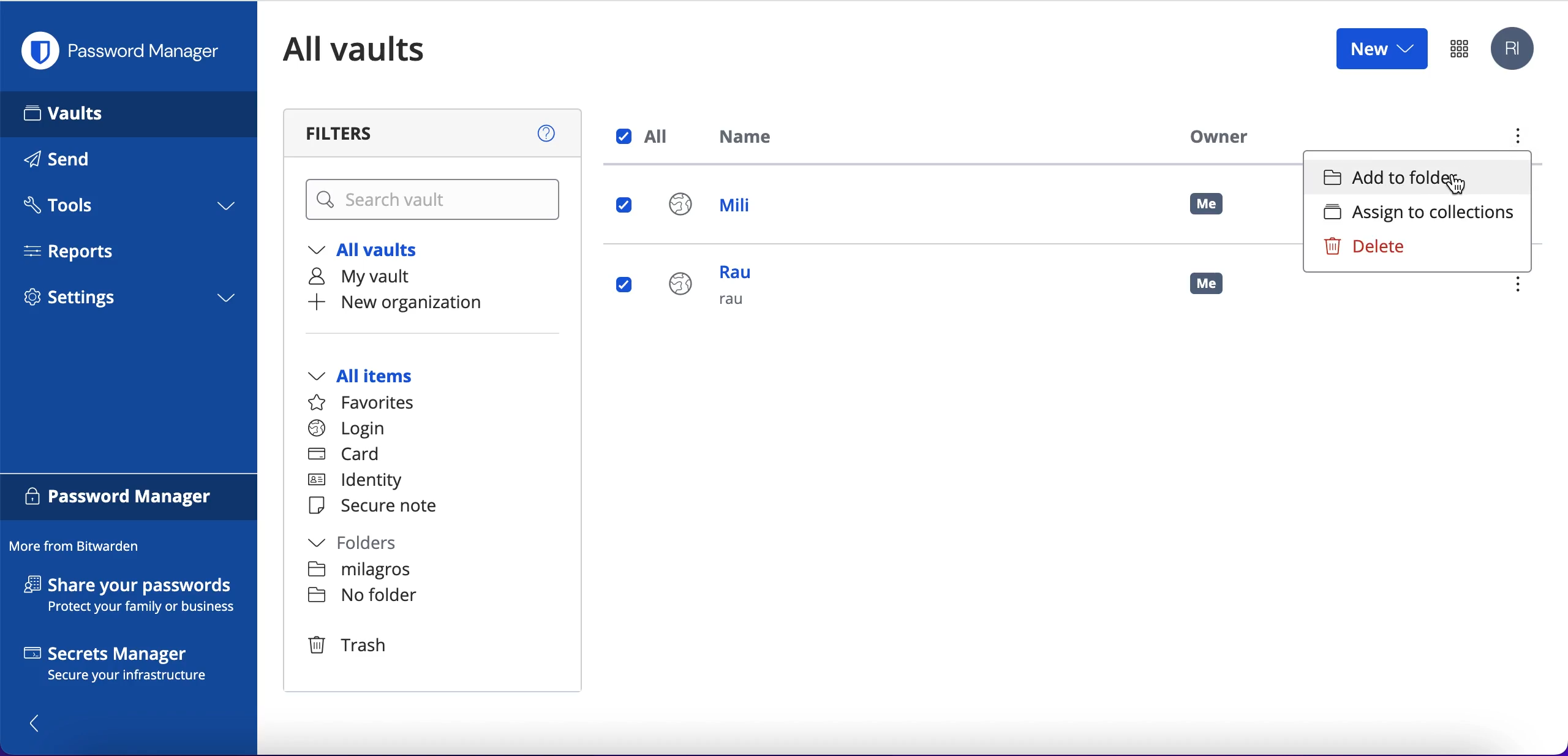 The width and height of the screenshot is (1568, 756). What do you see at coordinates (1451, 185) in the screenshot?
I see `cursor` at bounding box center [1451, 185].